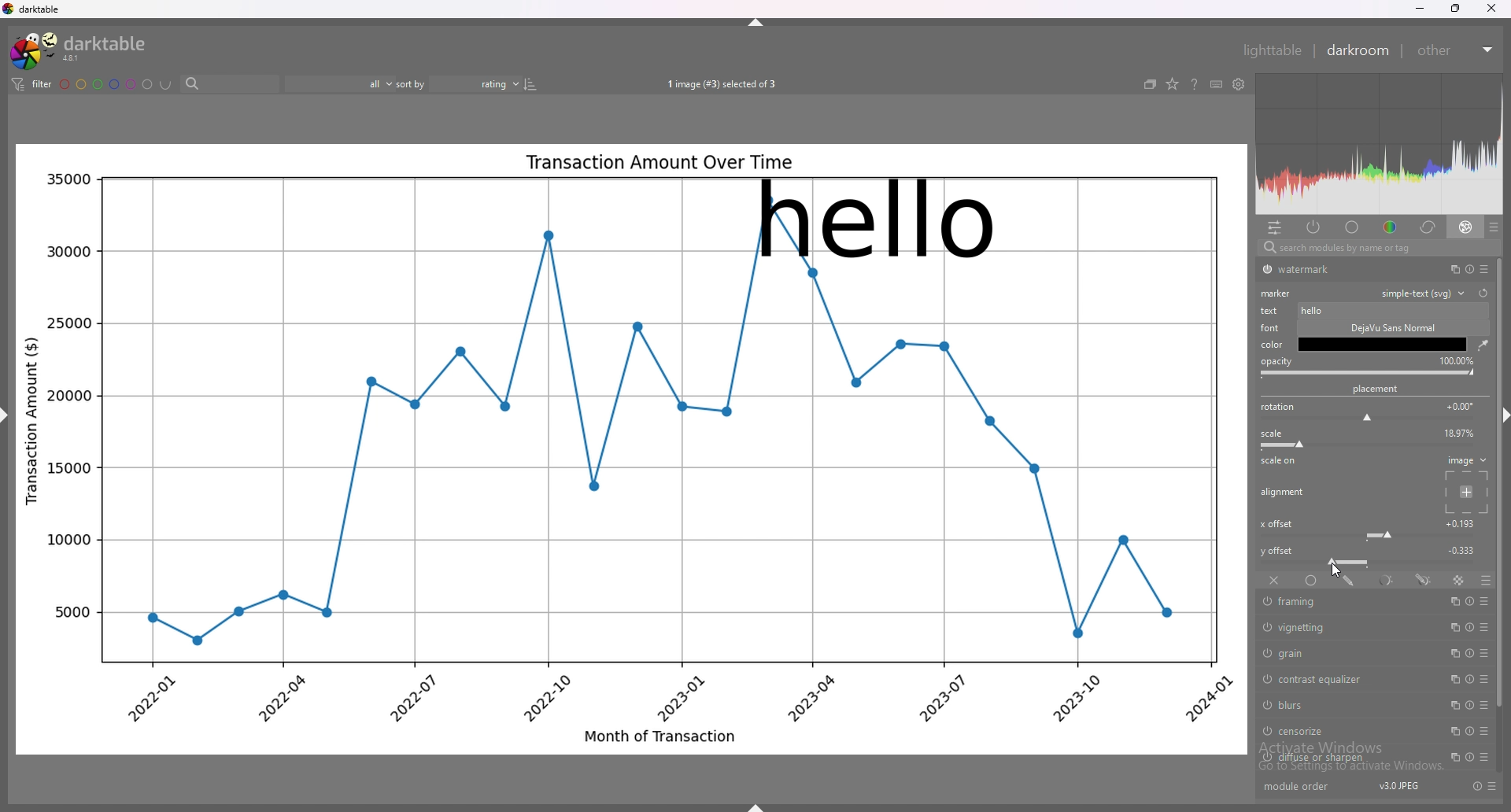  Describe the element at coordinates (1343, 705) in the screenshot. I see `blurs` at that location.